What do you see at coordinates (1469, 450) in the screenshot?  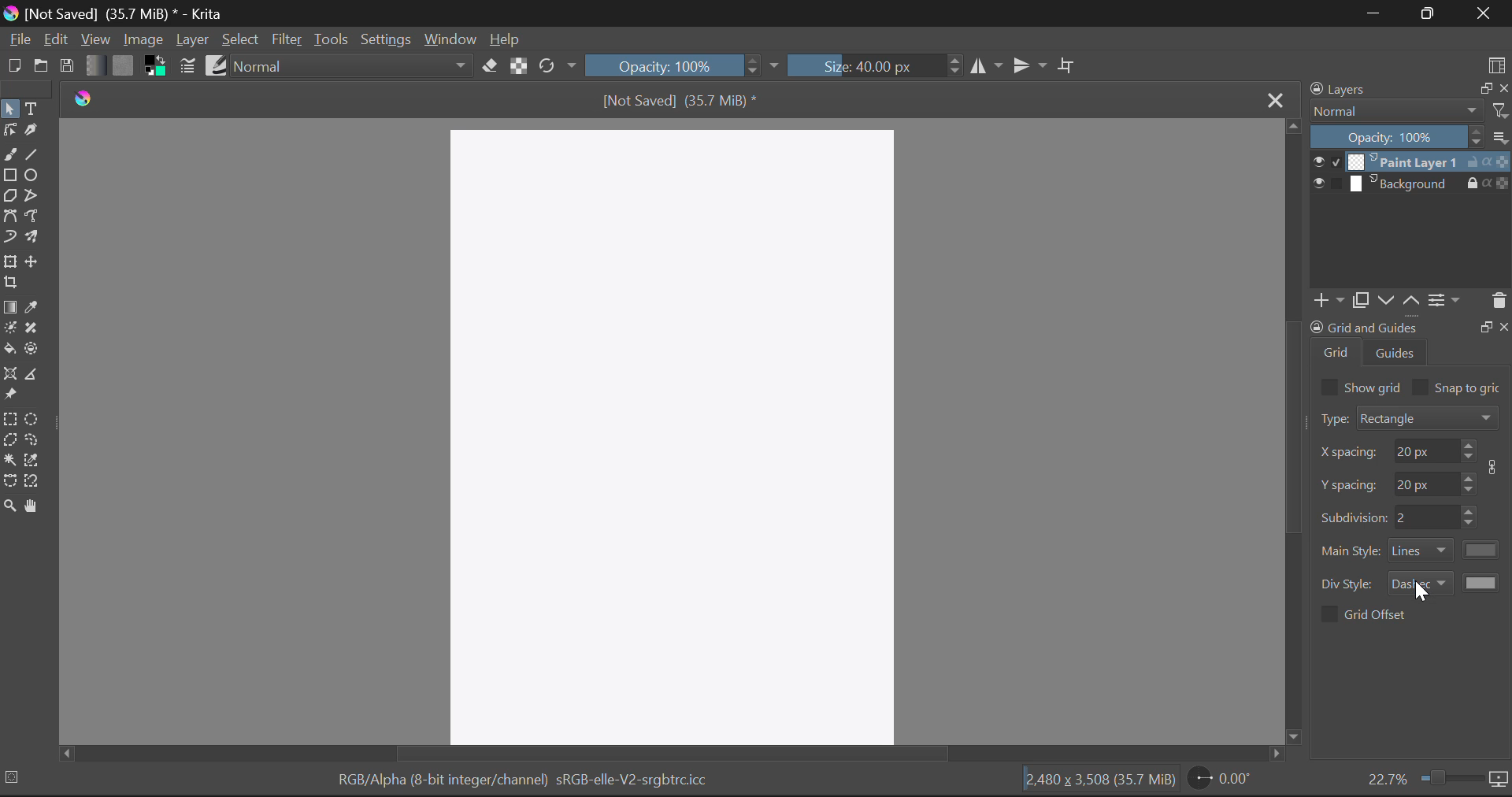 I see `Increase or decrease` at bounding box center [1469, 450].